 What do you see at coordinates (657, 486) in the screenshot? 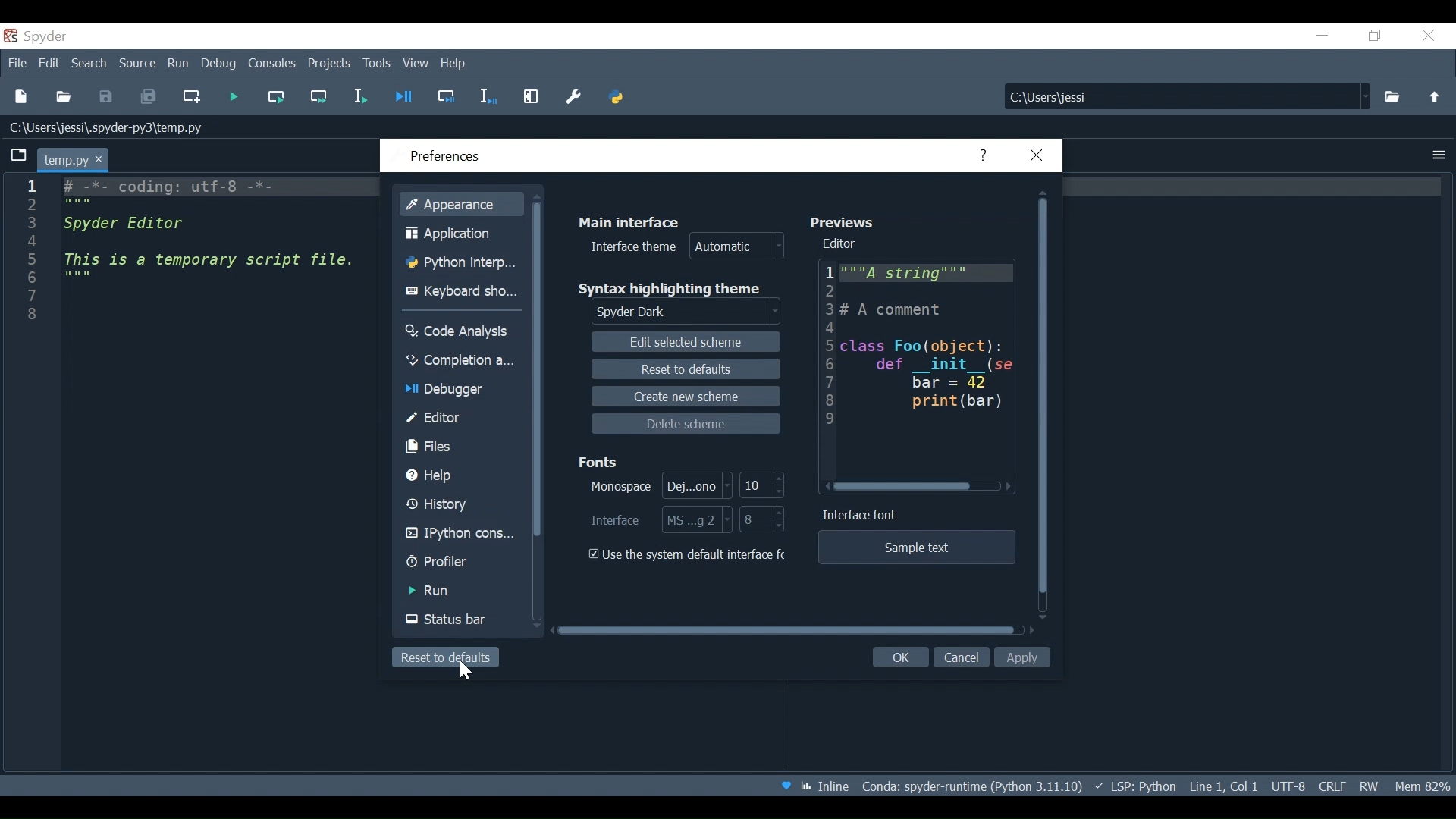
I see `Monospace` at bounding box center [657, 486].